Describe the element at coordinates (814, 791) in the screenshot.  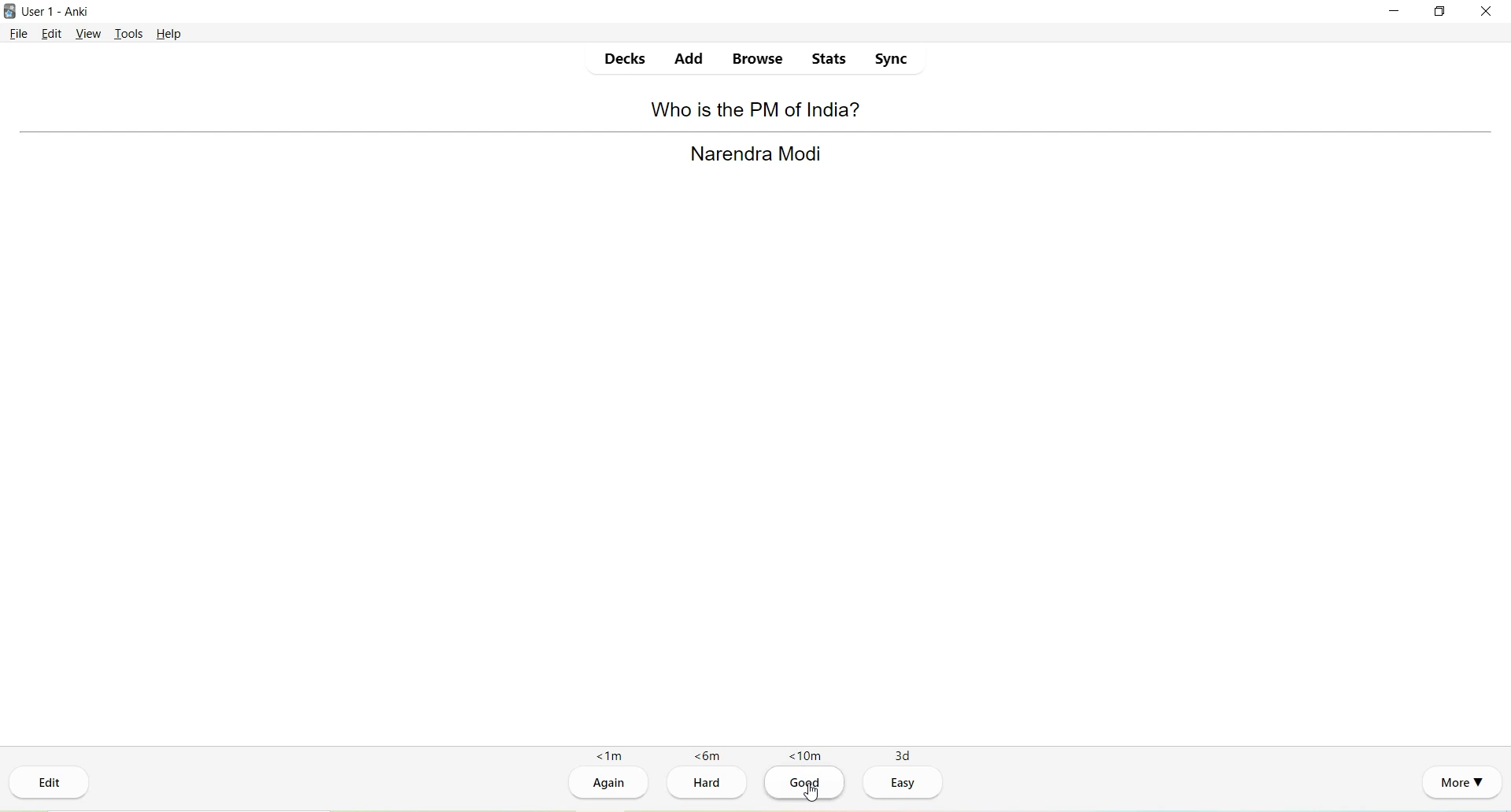
I see `cursor` at that location.